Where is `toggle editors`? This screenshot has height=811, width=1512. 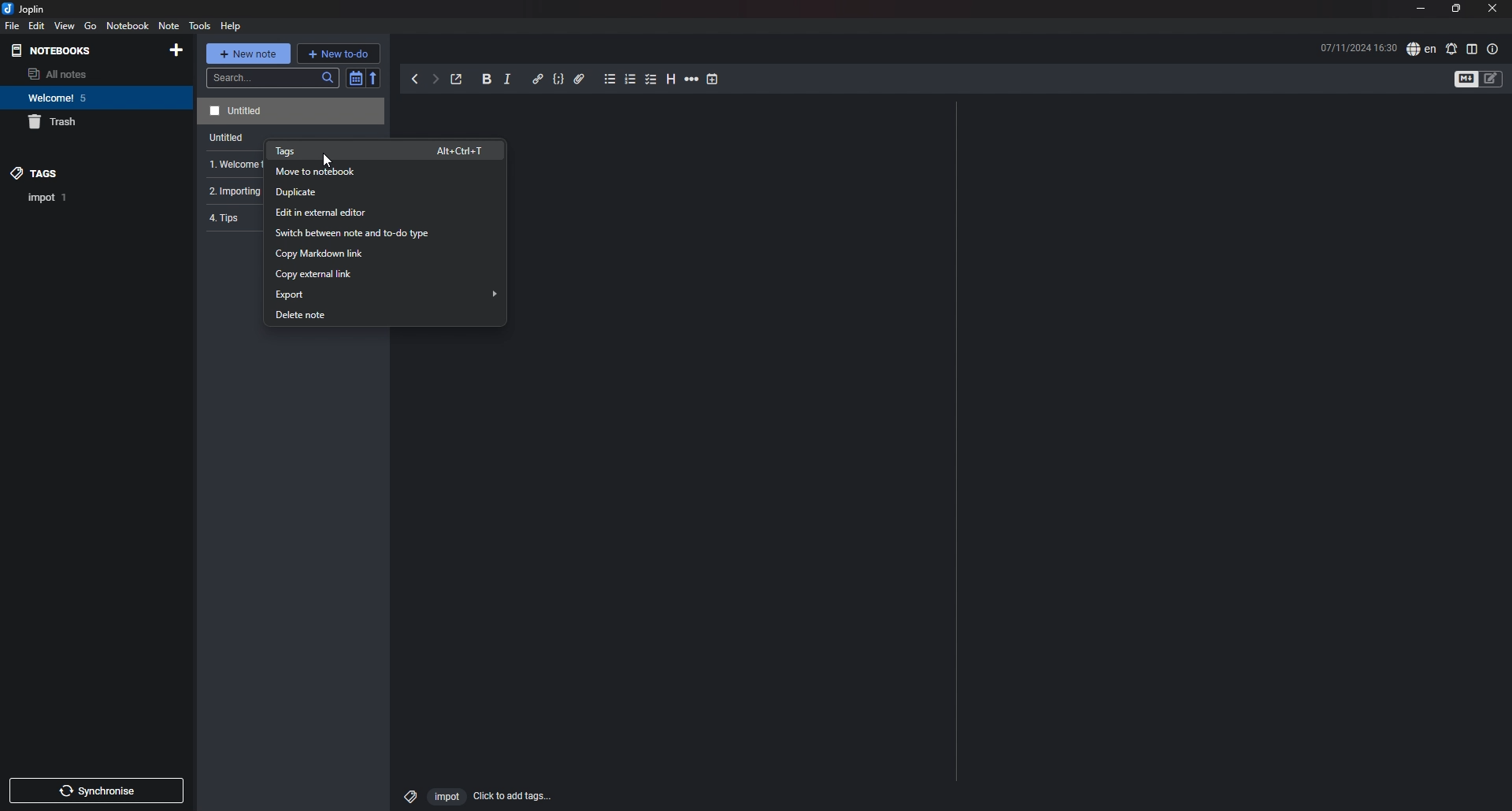
toggle editors is located at coordinates (1492, 79).